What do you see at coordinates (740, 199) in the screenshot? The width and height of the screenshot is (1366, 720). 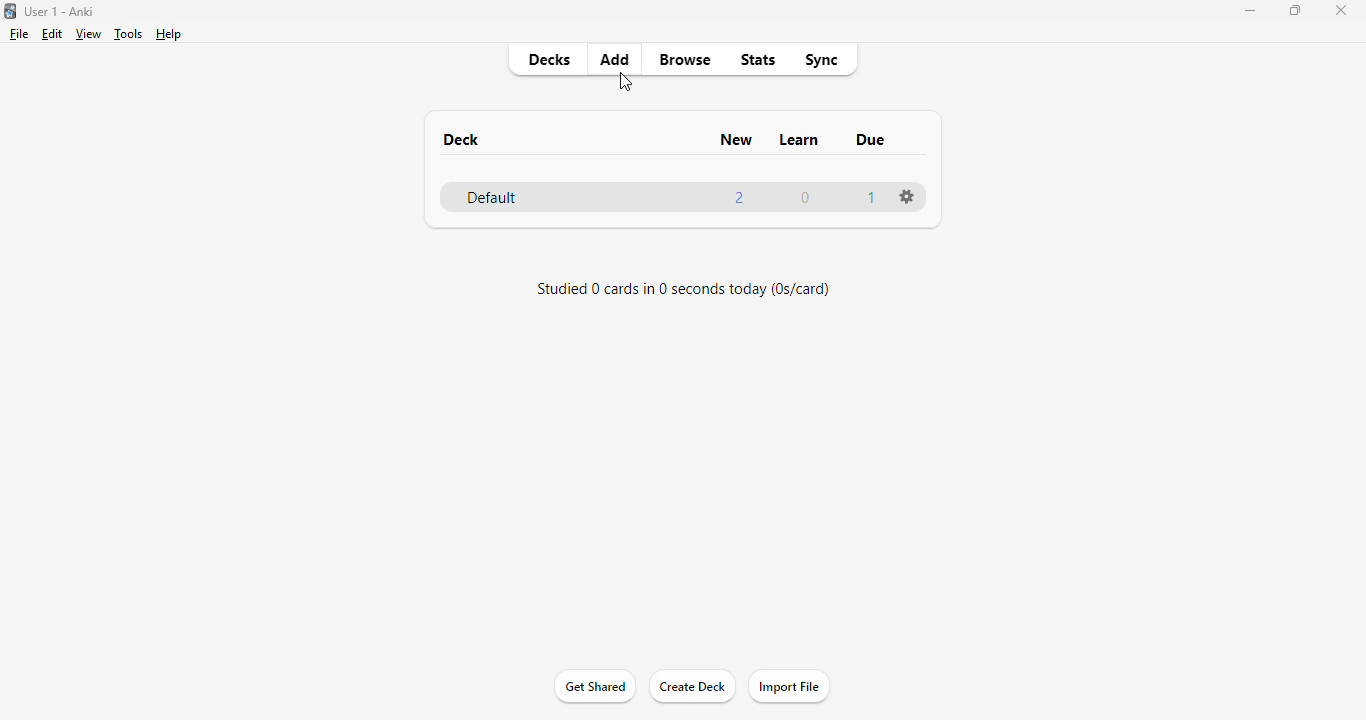 I see `2` at bounding box center [740, 199].